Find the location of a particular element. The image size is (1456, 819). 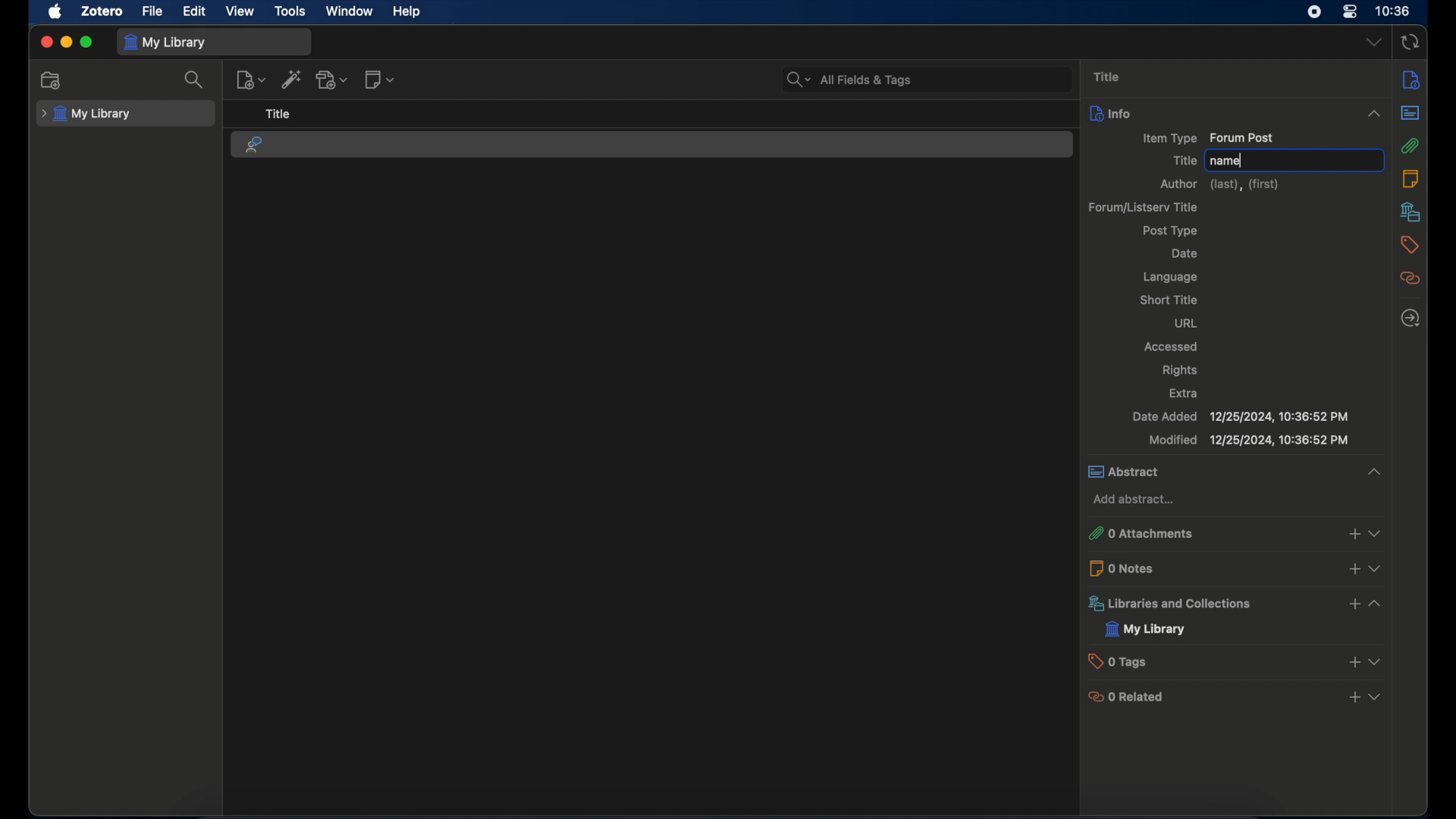

abstract is located at coordinates (1411, 113).